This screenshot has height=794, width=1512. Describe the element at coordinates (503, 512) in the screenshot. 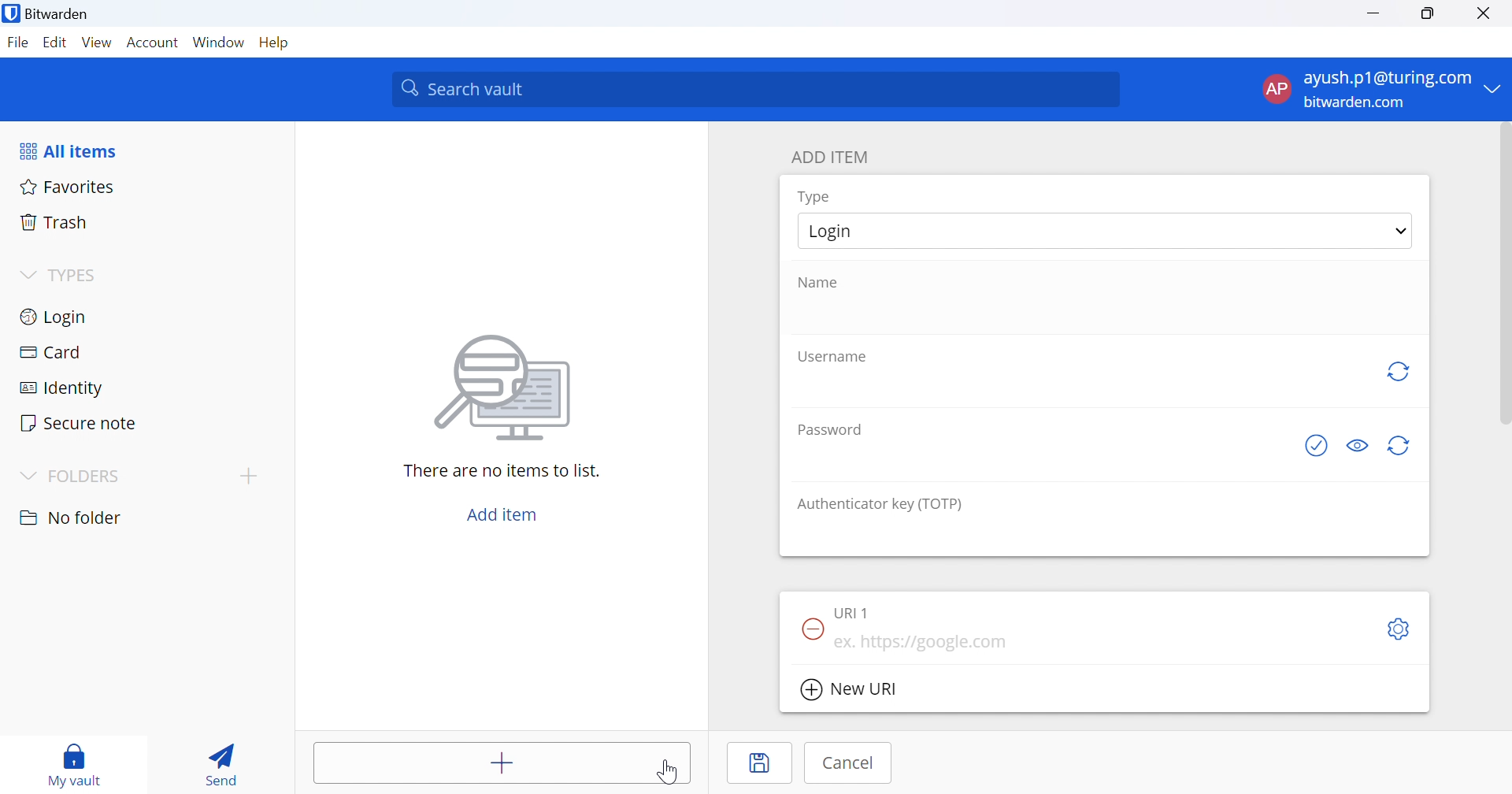

I see `Add item` at that location.